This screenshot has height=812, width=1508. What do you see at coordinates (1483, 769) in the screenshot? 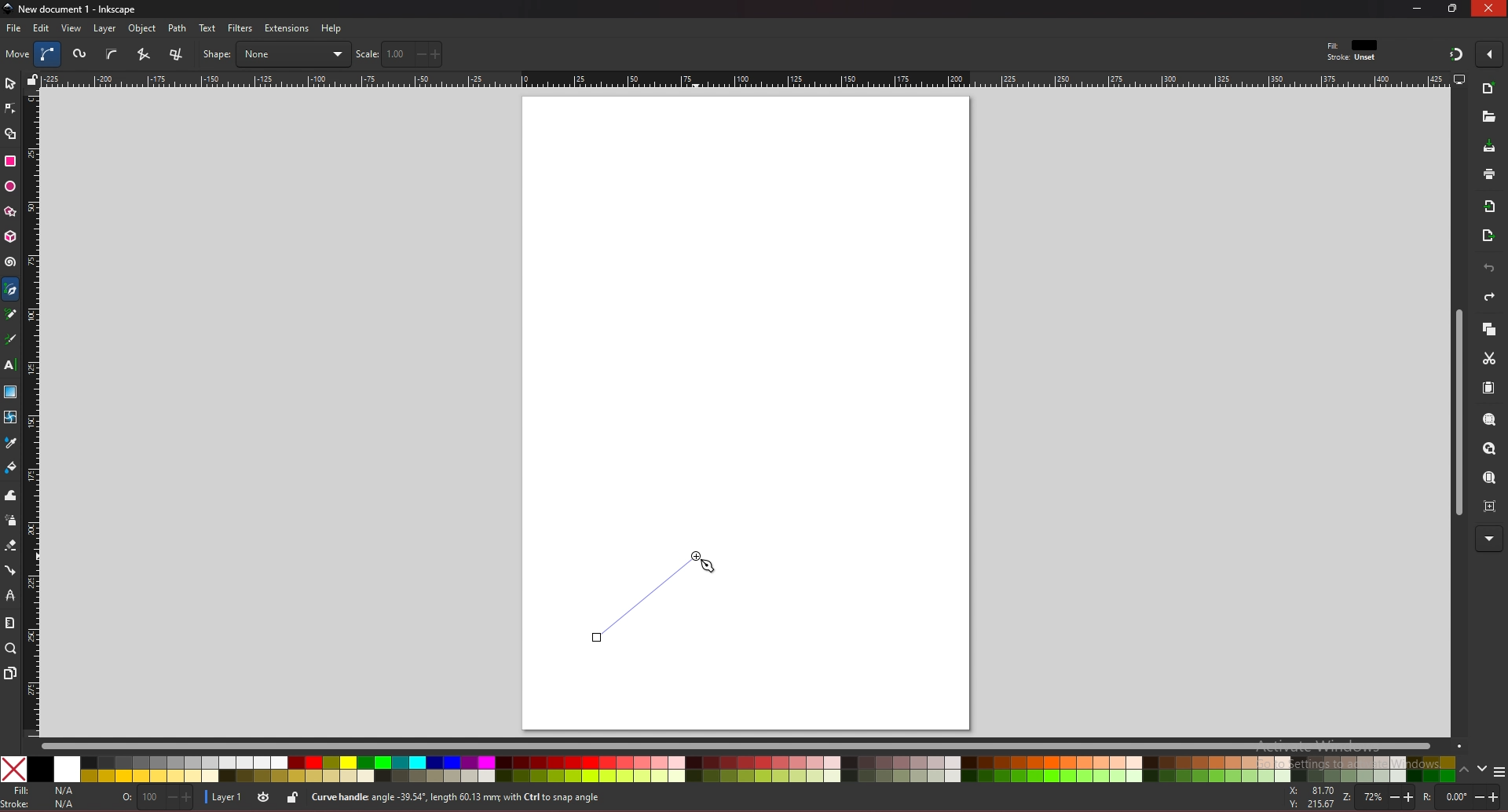
I see `down` at bounding box center [1483, 769].